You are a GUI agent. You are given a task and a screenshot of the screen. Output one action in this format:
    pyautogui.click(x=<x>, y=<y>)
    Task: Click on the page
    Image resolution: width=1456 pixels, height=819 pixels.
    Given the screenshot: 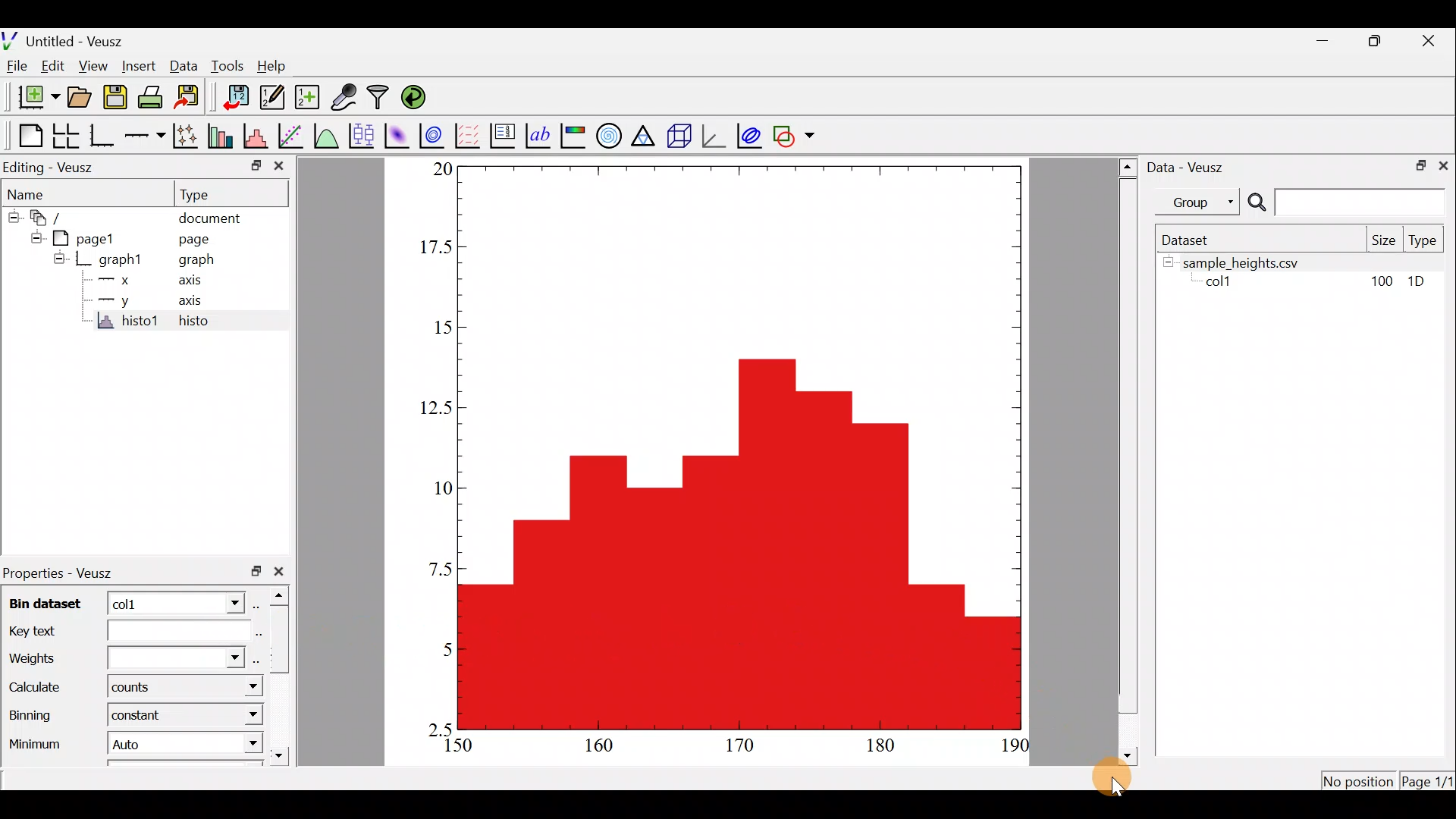 What is the action you would take?
    pyautogui.click(x=196, y=240)
    